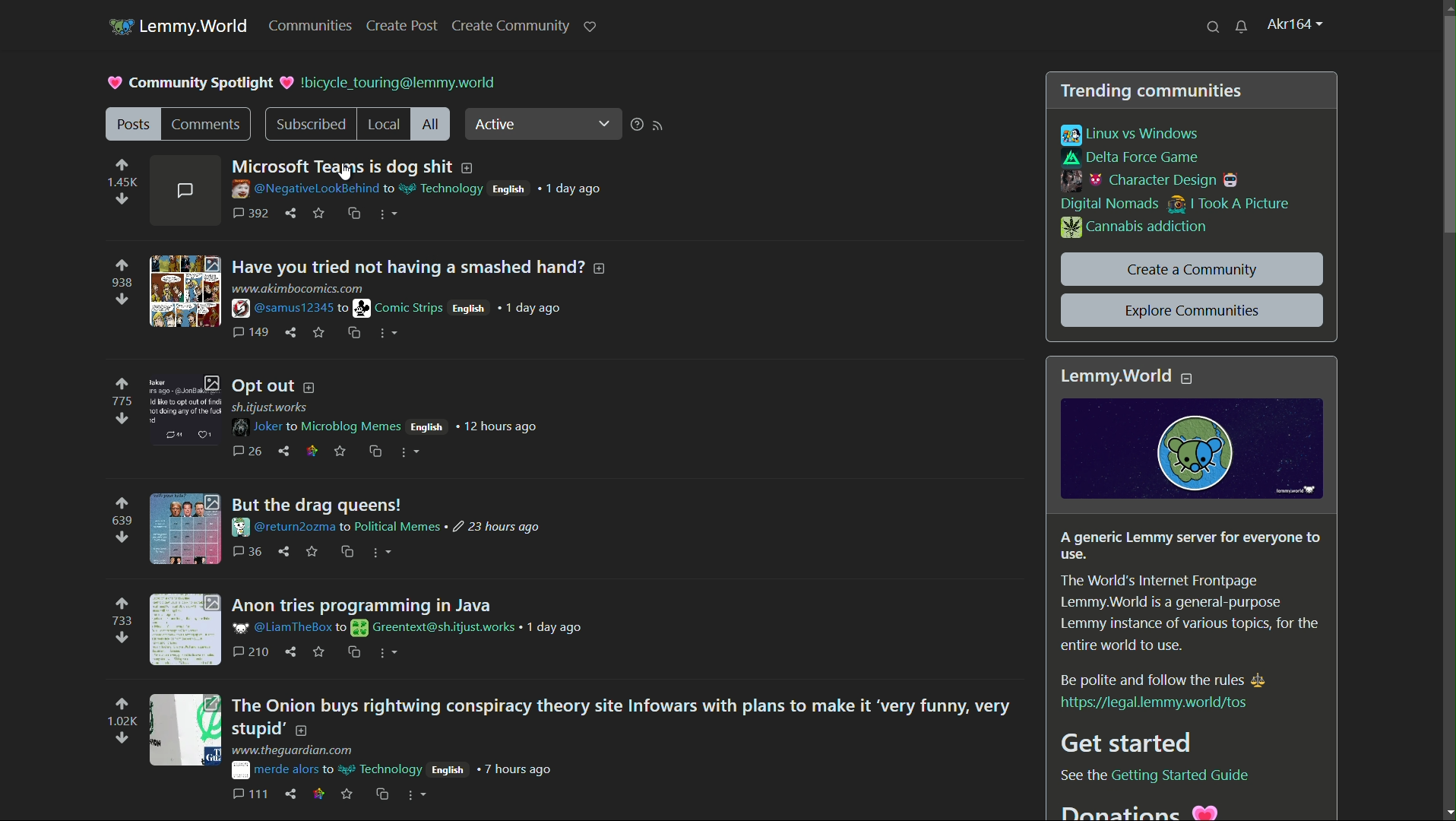  What do you see at coordinates (197, 27) in the screenshot?
I see `lemmy.world` at bounding box center [197, 27].